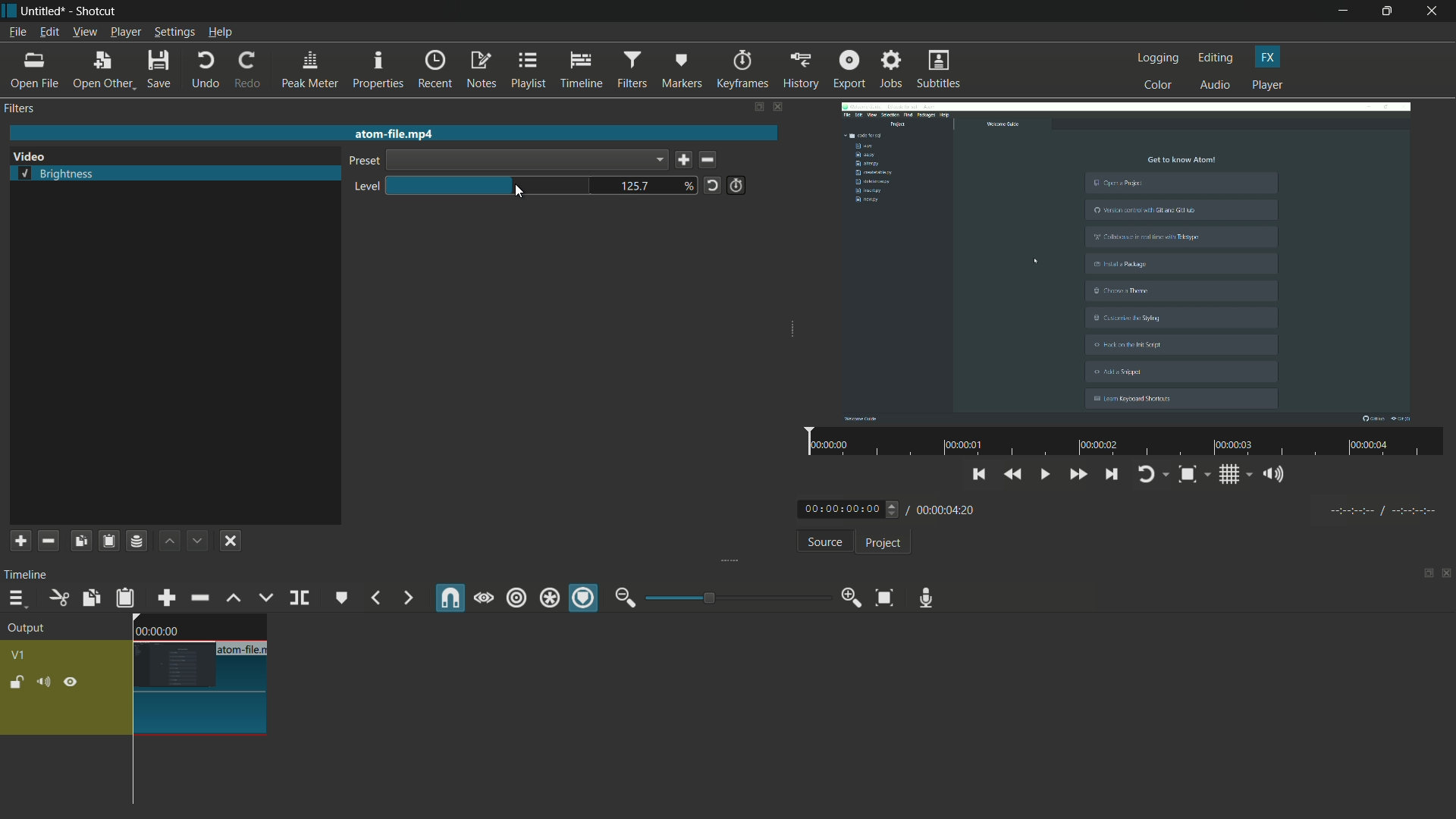 The image size is (1456, 819). What do you see at coordinates (891, 70) in the screenshot?
I see `jobs` at bounding box center [891, 70].